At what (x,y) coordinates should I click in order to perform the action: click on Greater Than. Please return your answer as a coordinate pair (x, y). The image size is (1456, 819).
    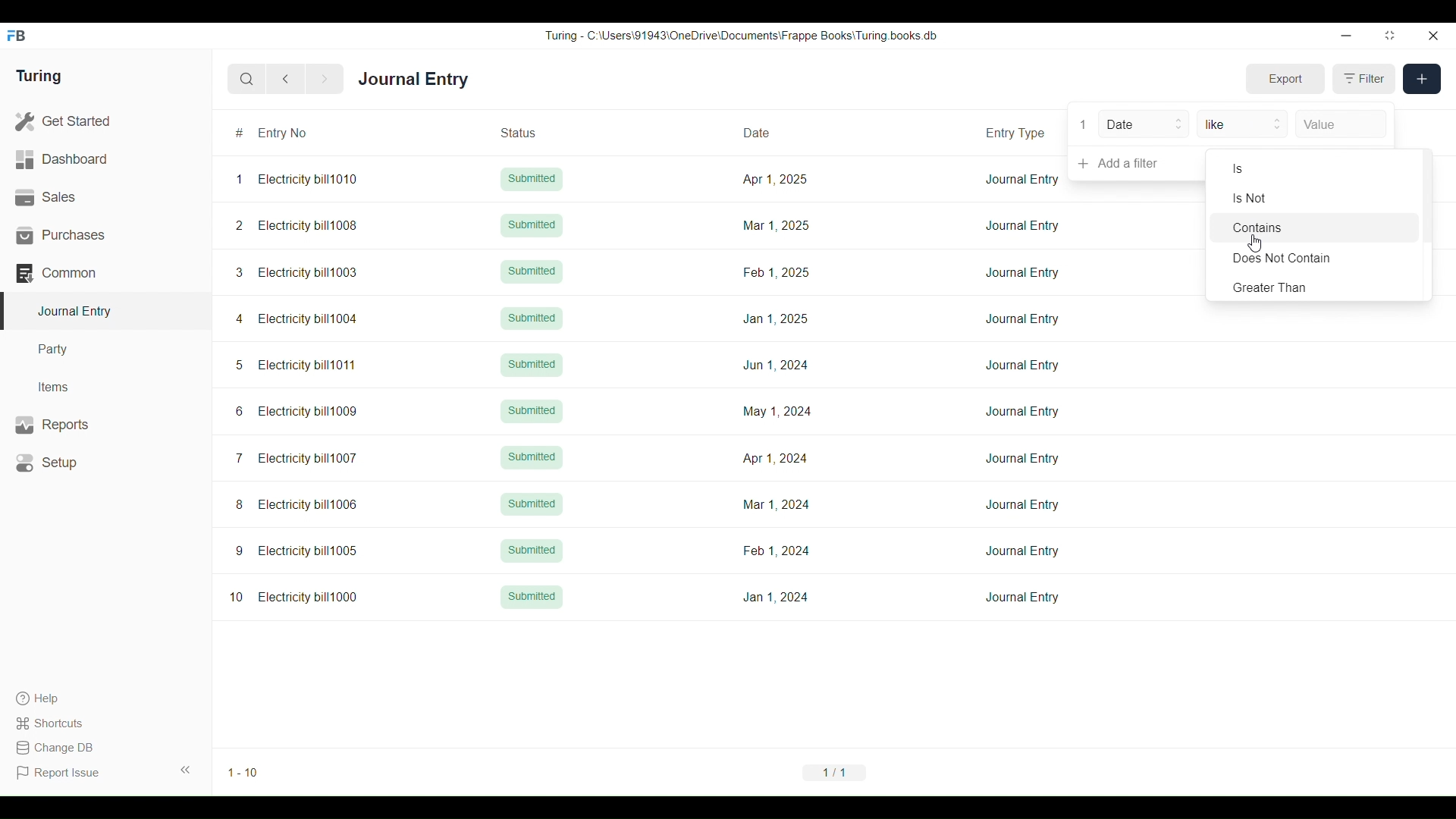
    Looking at the image, I should click on (1314, 287).